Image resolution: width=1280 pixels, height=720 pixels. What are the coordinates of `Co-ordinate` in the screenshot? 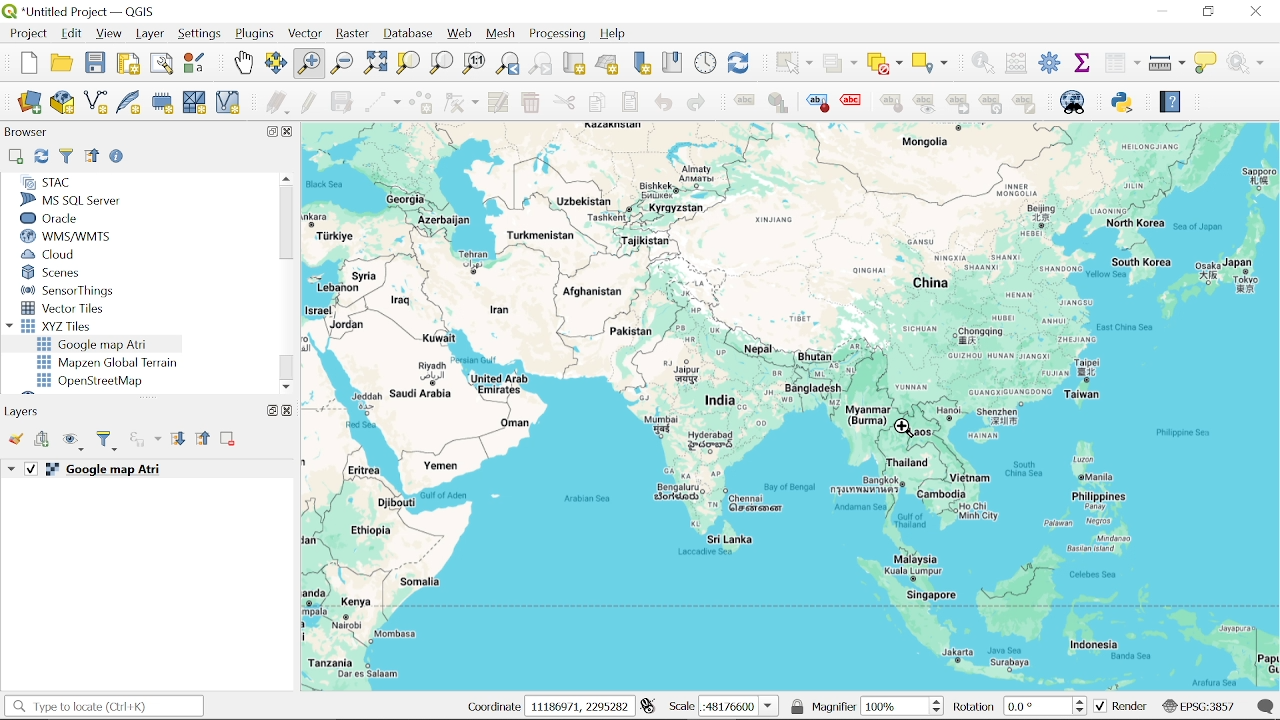 It's located at (579, 706).